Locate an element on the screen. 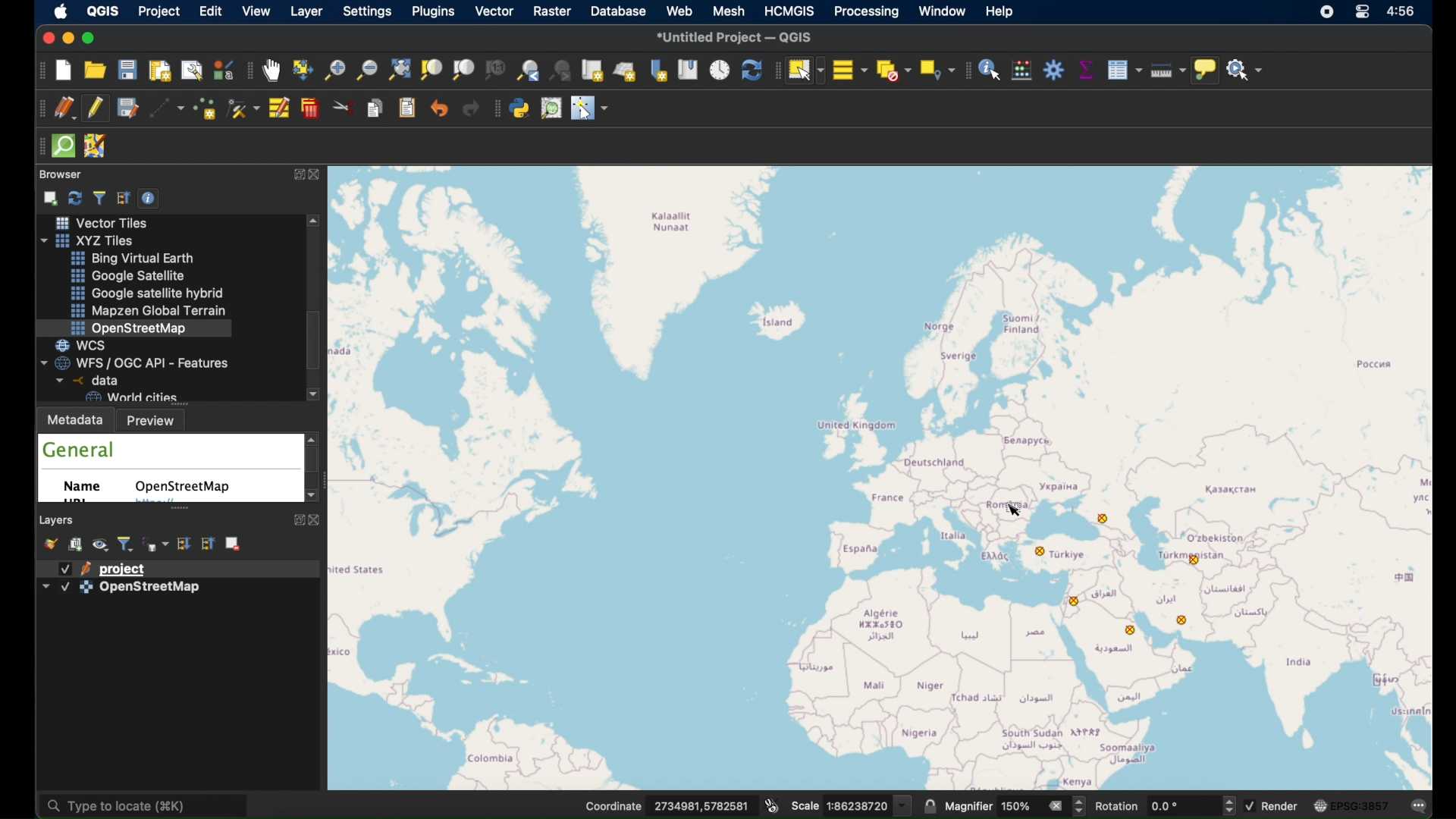  delete selected is located at coordinates (312, 108).